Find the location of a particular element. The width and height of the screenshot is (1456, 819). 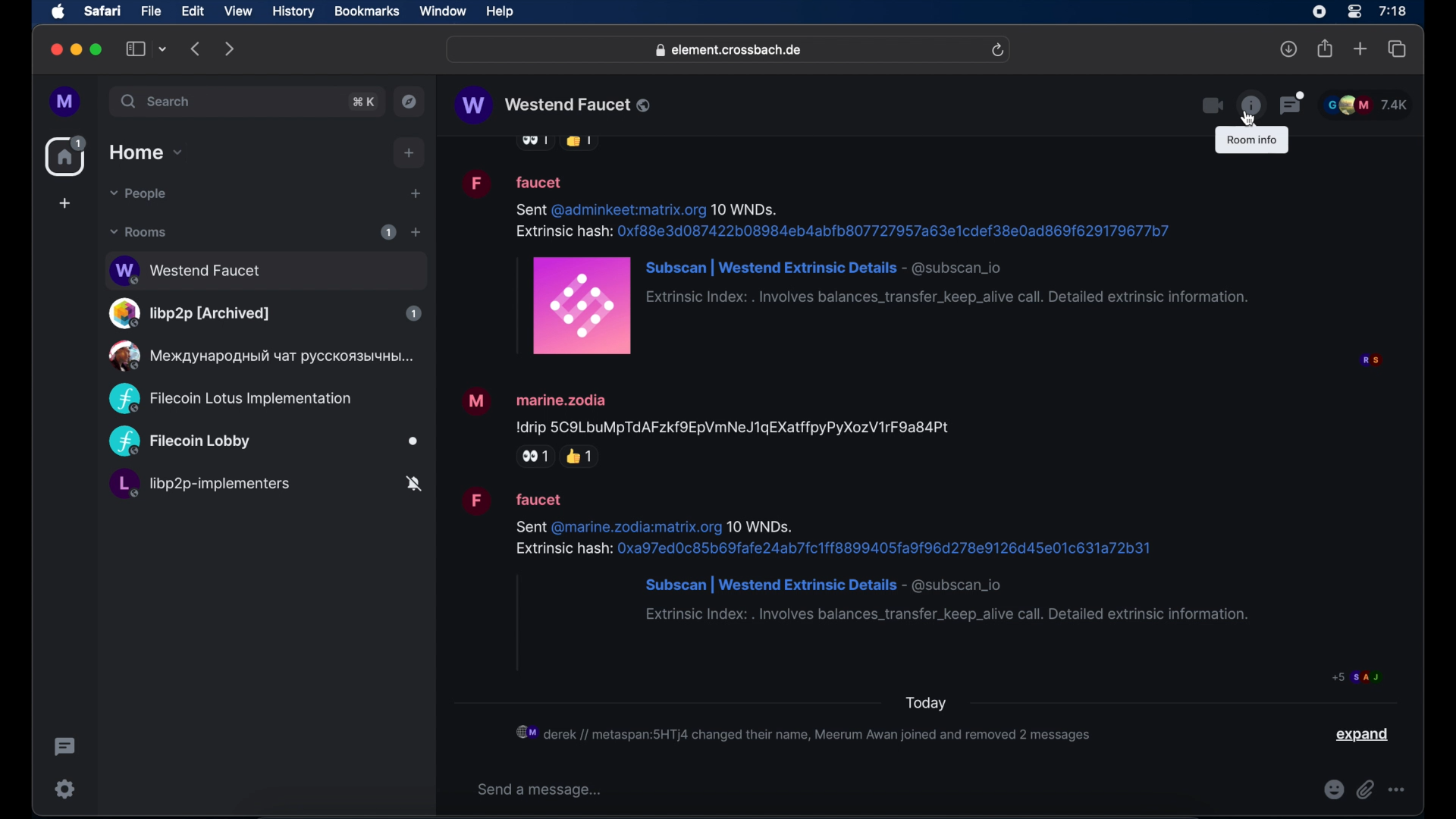

public room is located at coordinates (265, 313).